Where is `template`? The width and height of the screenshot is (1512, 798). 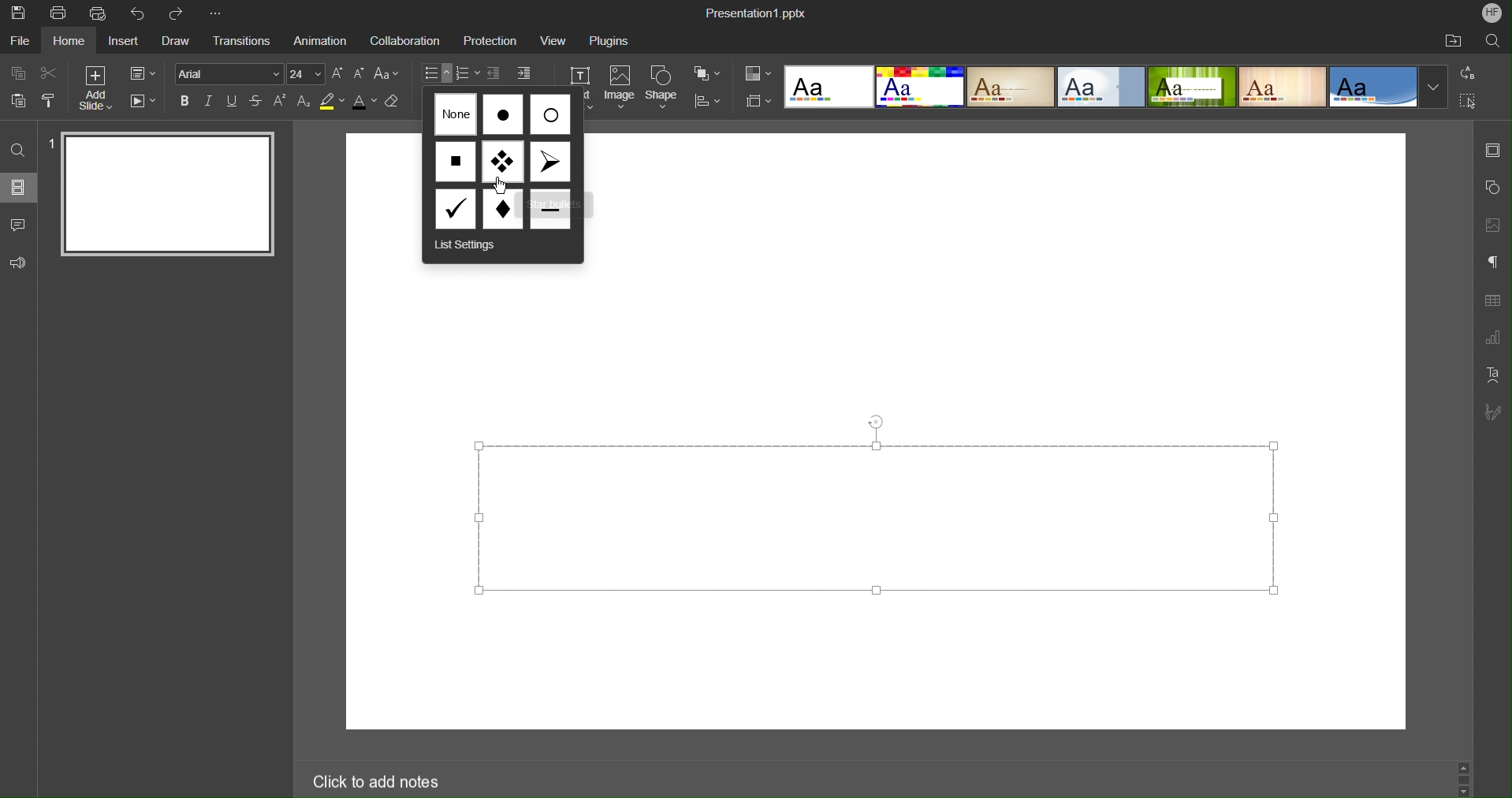
template is located at coordinates (1372, 87).